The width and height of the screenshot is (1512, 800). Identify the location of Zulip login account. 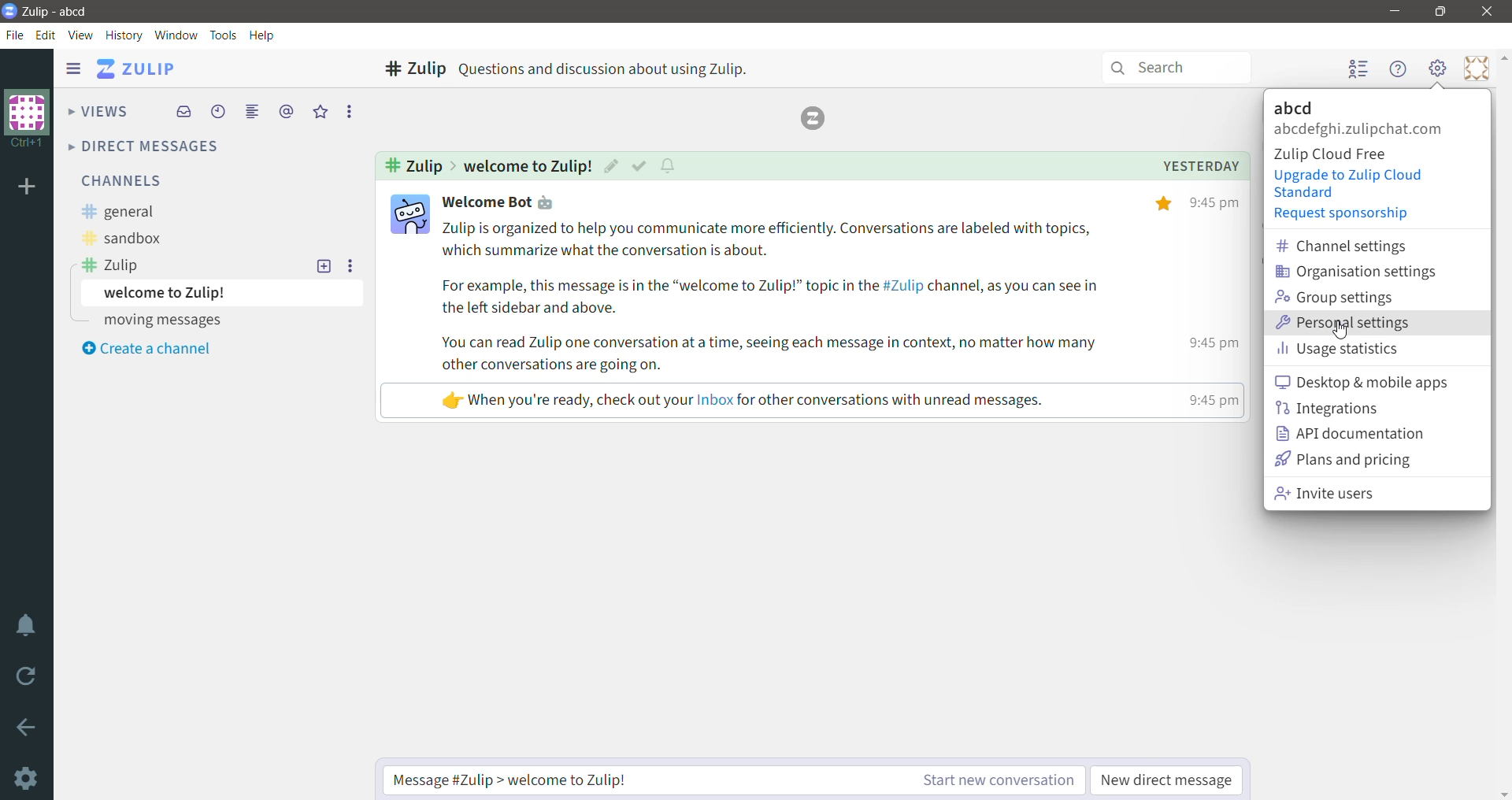
(1367, 130).